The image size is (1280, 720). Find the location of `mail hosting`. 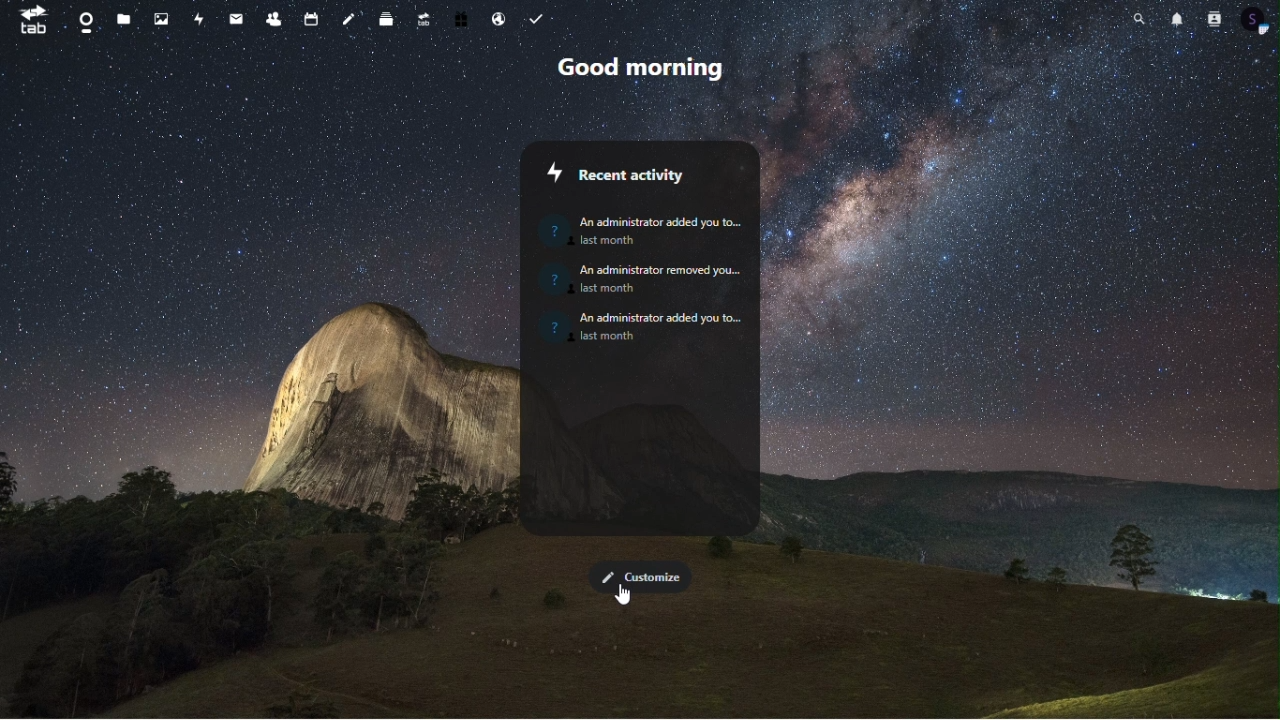

mail hosting is located at coordinates (502, 16).